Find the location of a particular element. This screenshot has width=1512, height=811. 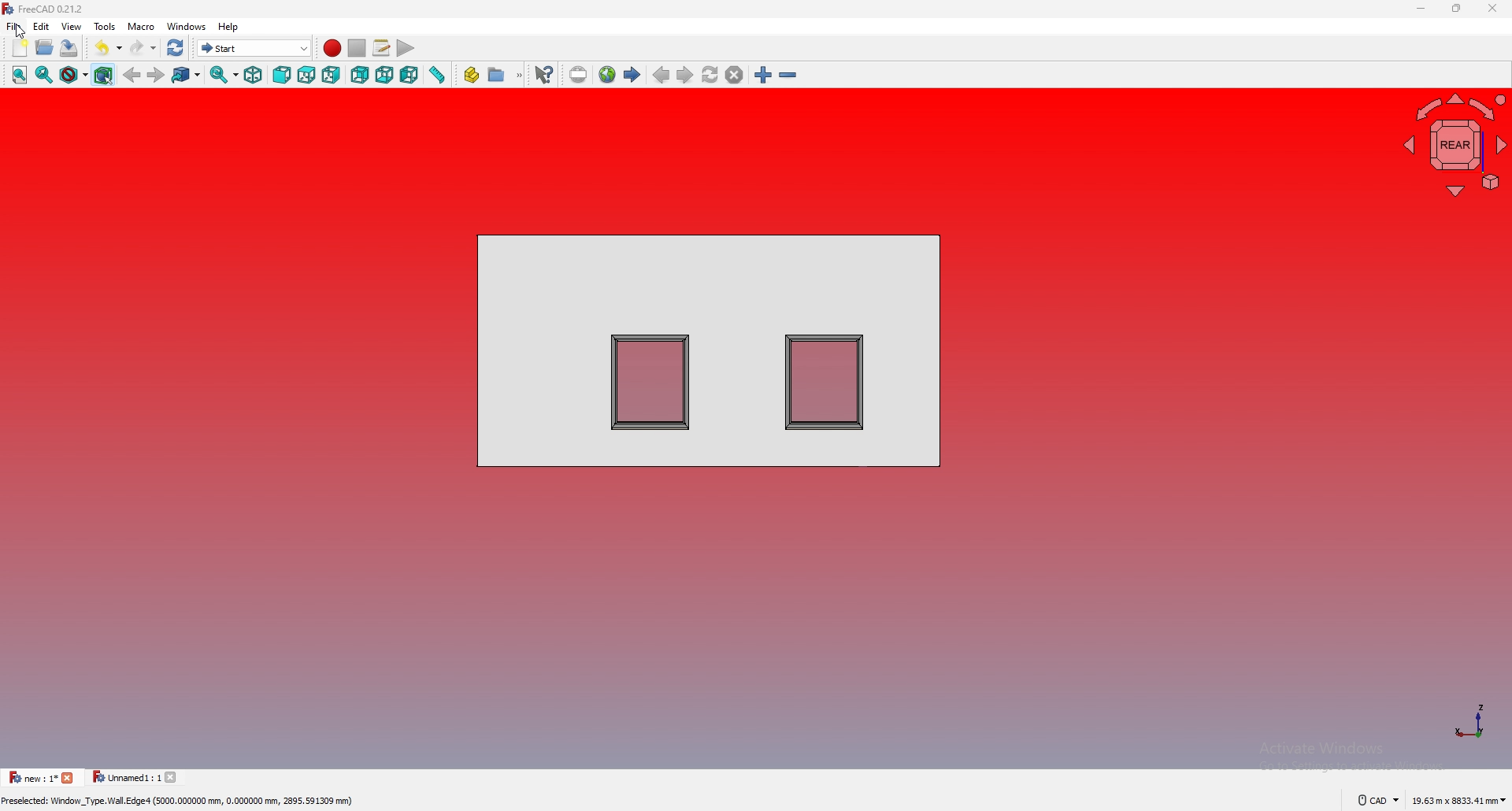

windows is located at coordinates (187, 27).